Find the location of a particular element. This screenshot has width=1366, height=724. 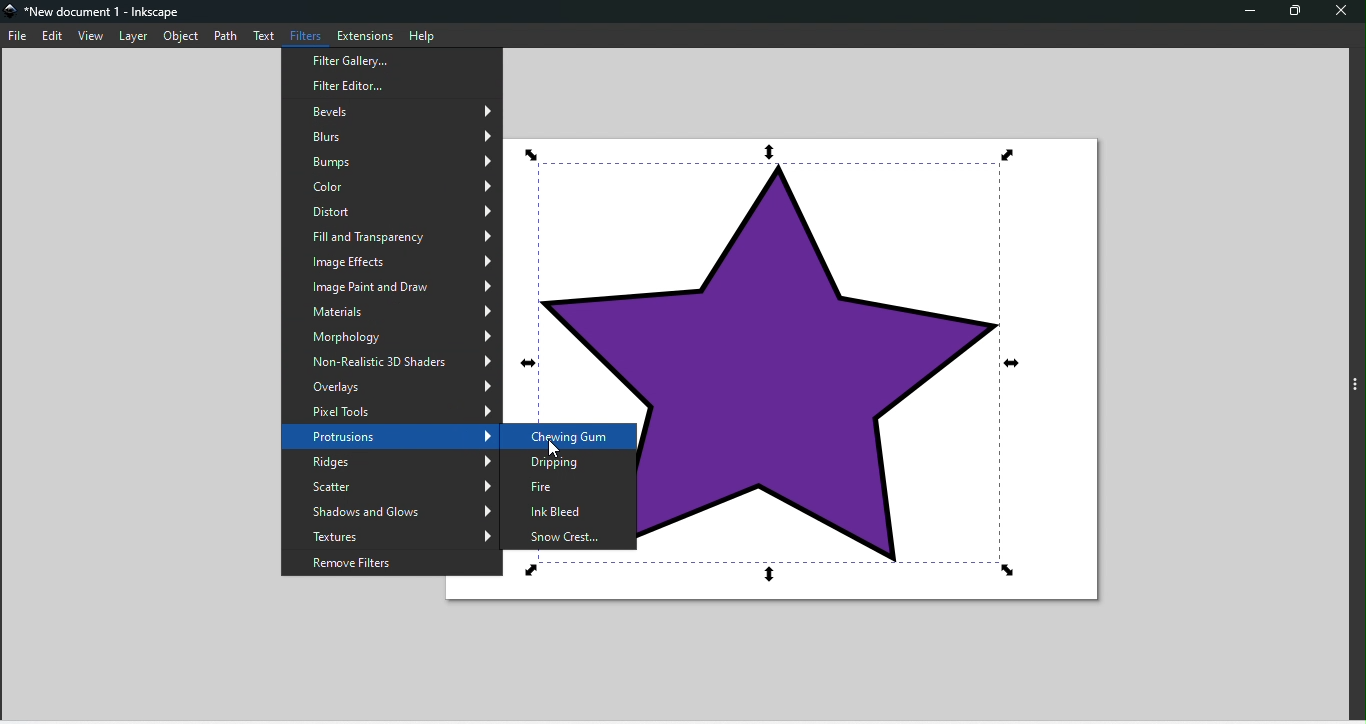

Snow Crest is located at coordinates (567, 536).